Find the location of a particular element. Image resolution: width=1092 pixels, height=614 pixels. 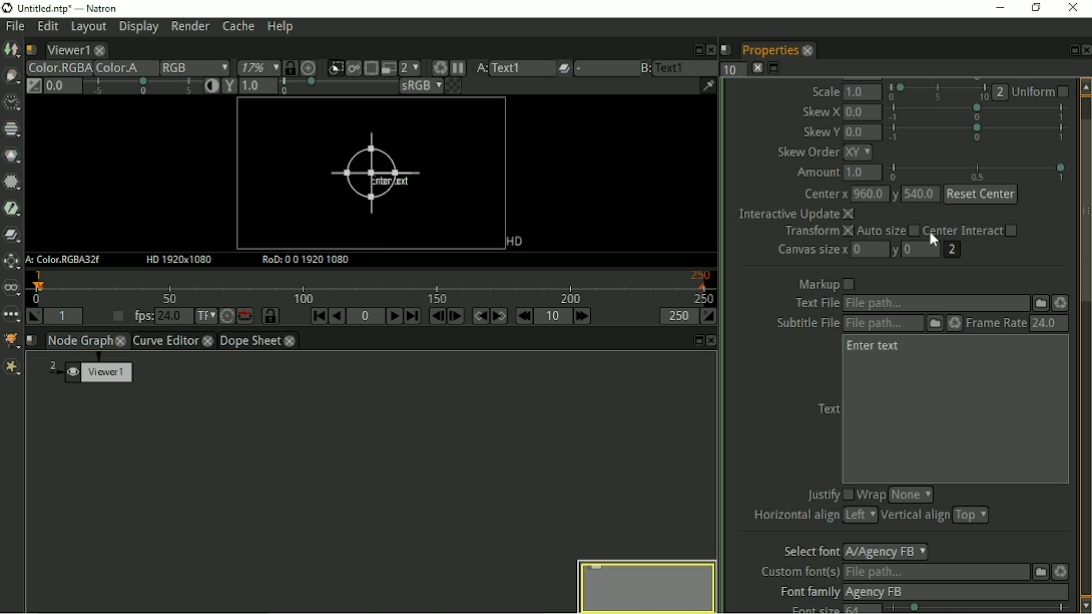

Viewer 1 is located at coordinates (93, 374).